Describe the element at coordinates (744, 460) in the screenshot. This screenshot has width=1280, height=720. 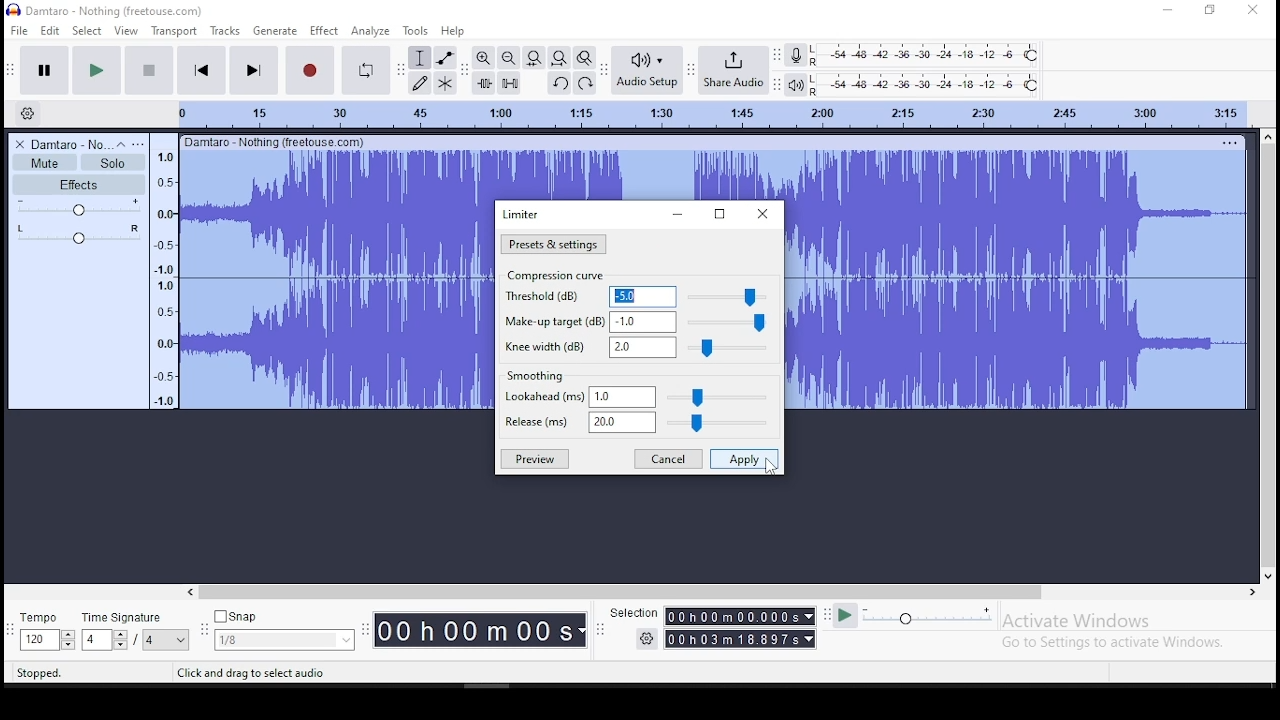
I see `apply` at that location.